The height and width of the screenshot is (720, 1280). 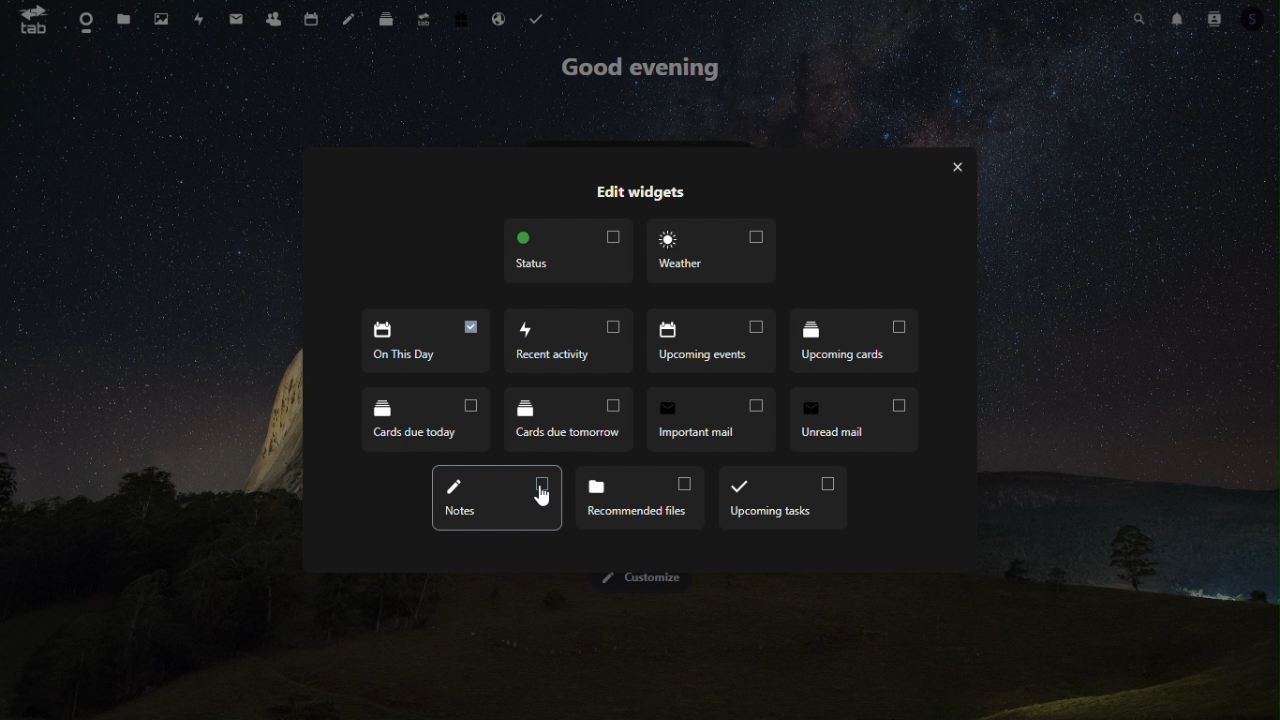 What do you see at coordinates (644, 70) in the screenshot?
I see `Greetings` at bounding box center [644, 70].